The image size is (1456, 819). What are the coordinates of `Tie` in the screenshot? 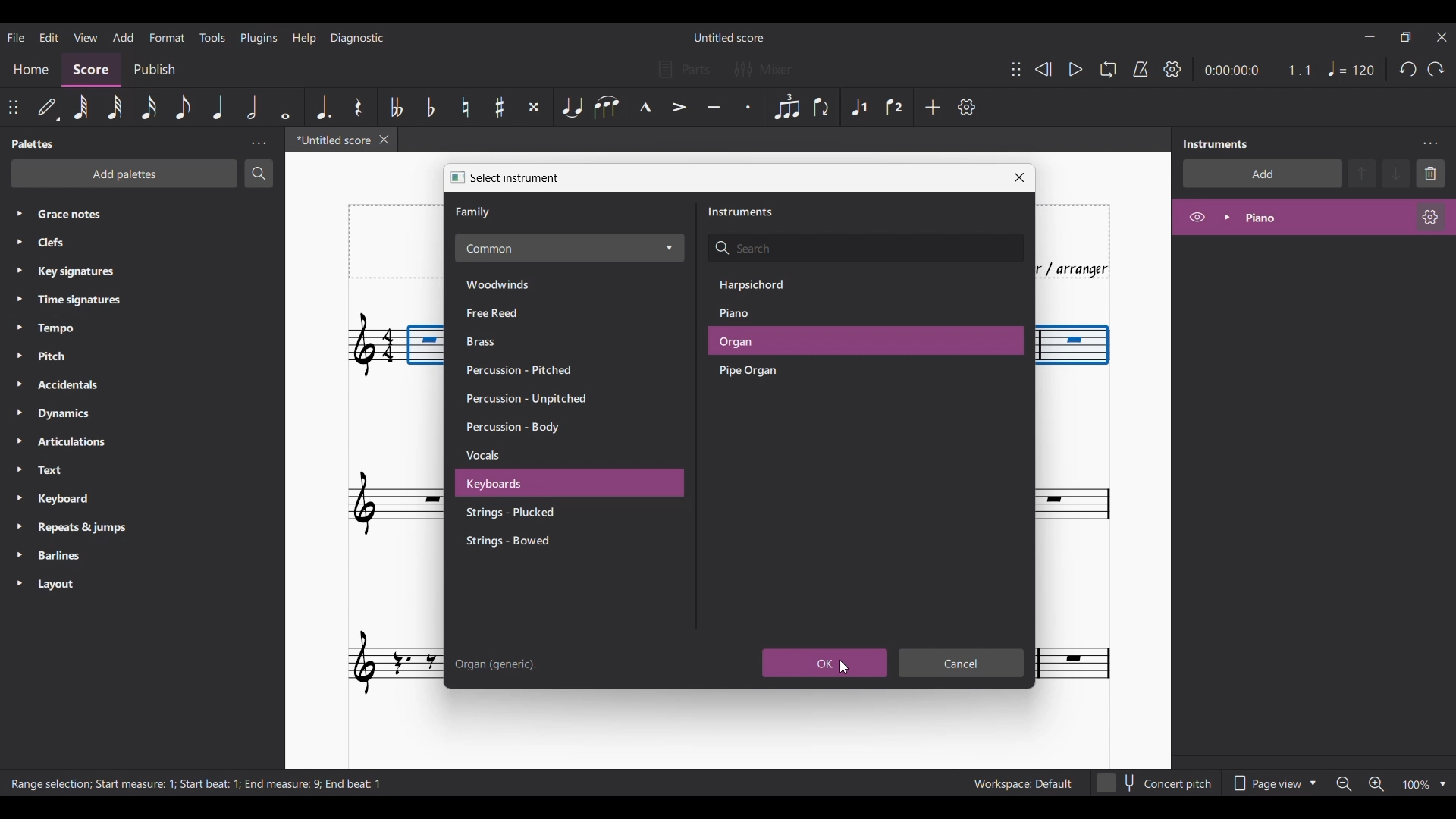 It's located at (571, 106).